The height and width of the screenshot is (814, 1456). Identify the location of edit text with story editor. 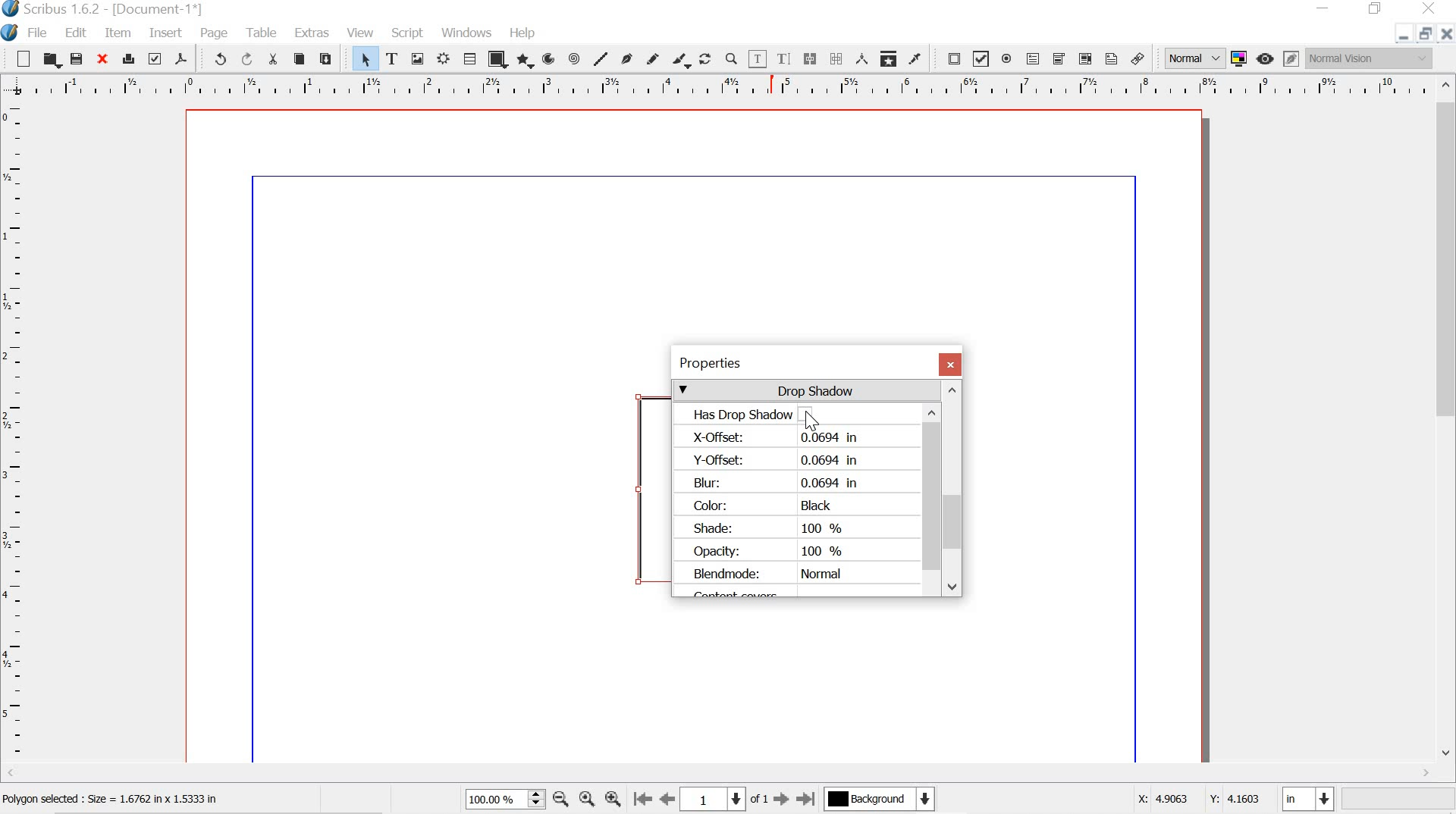
(786, 58).